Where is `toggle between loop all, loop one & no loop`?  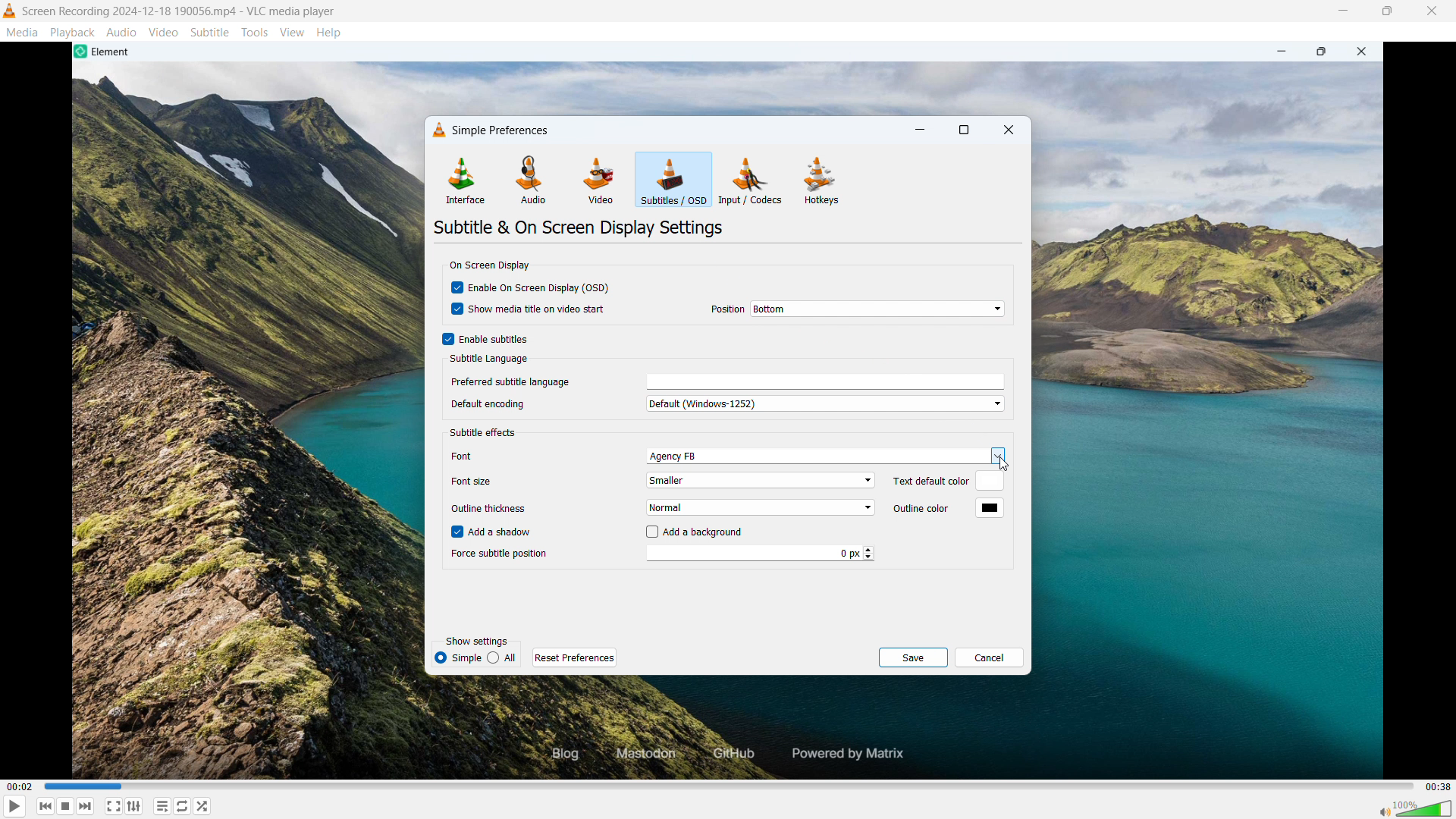 toggle between loop all, loop one & no loop is located at coordinates (182, 806).